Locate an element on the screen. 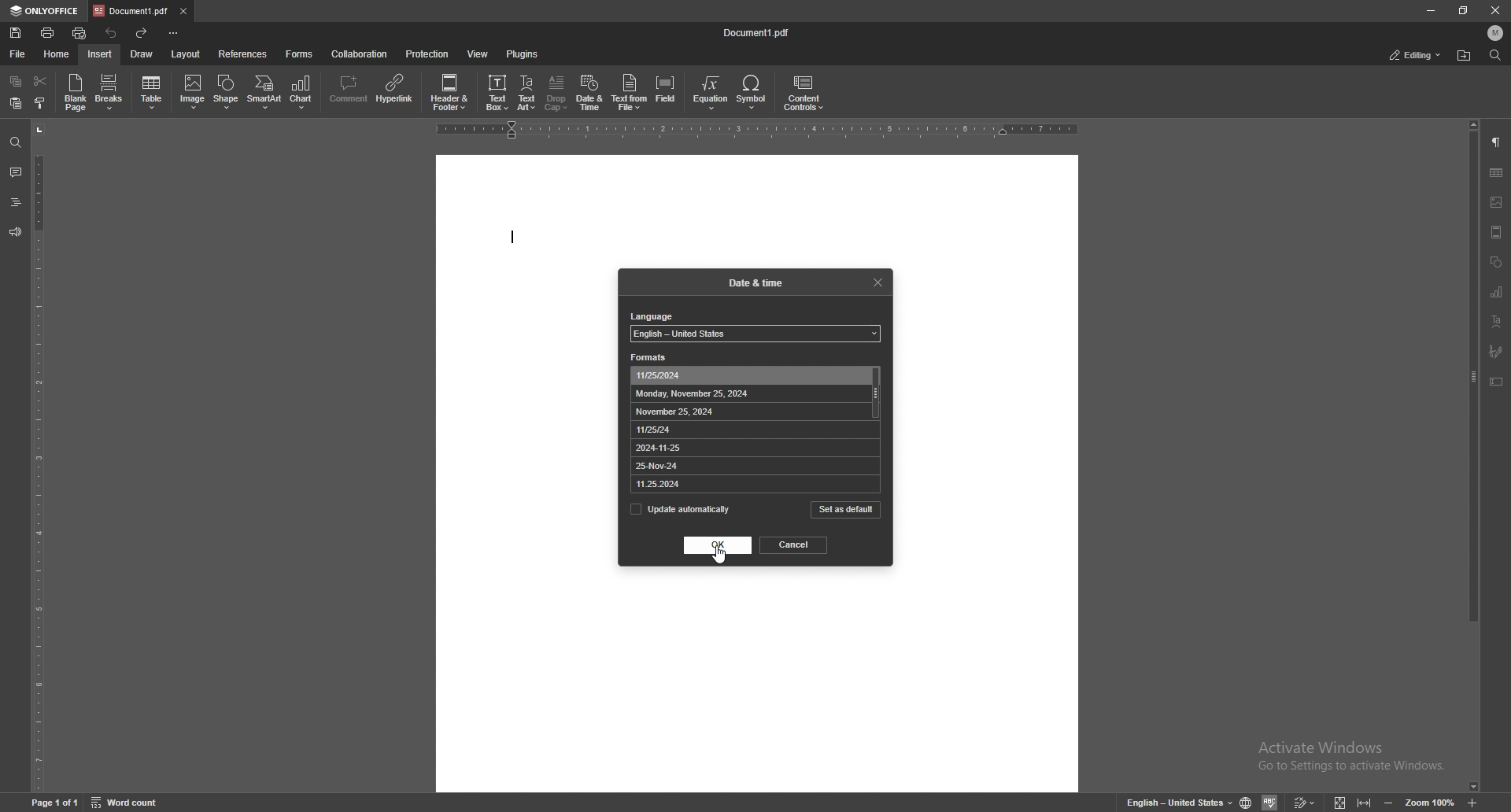 The image size is (1511, 812). feedback is located at coordinates (15, 232).